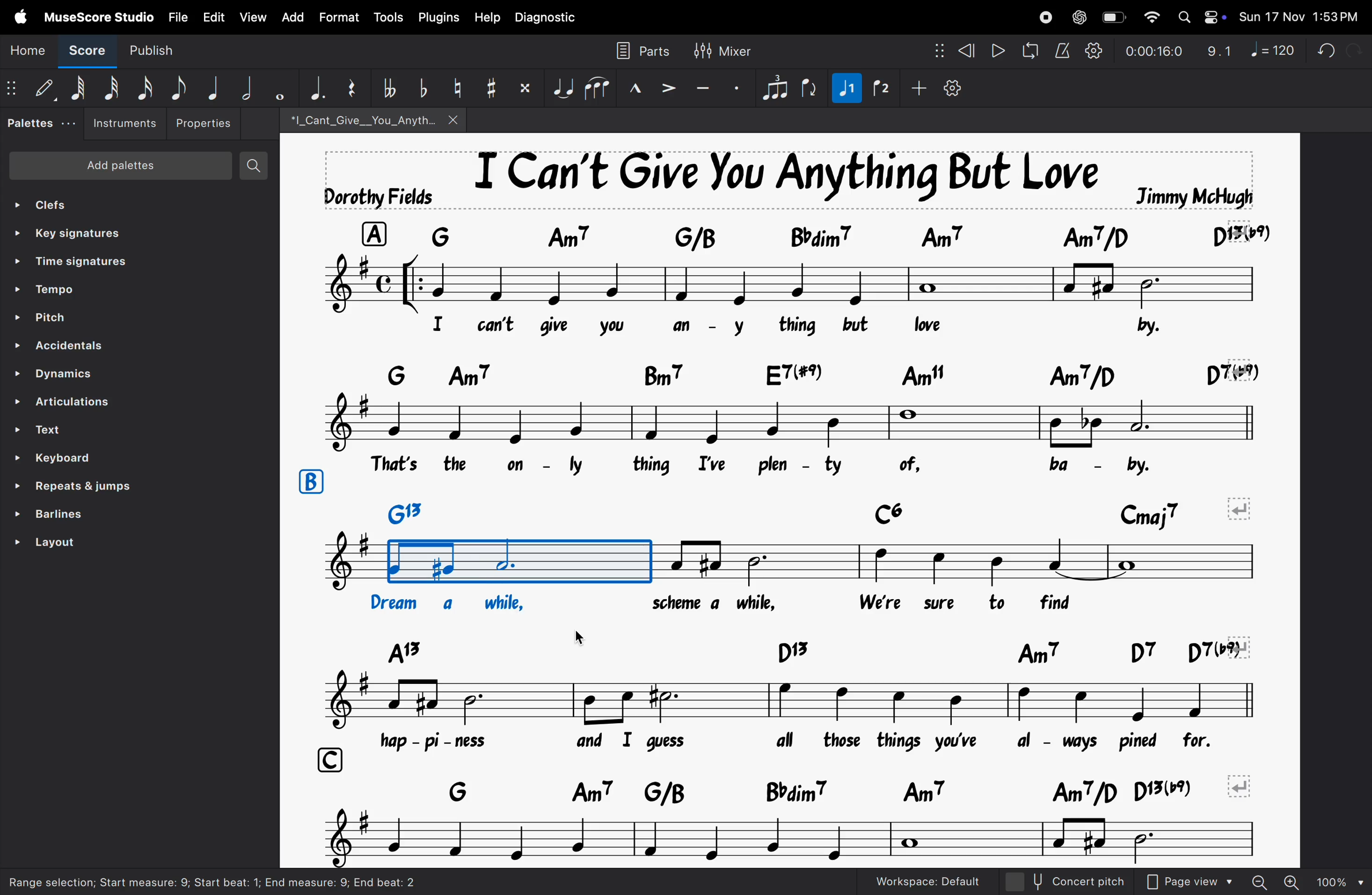 This screenshot has height=895, width=1372. What do you see at coordinates (214, 16) in the screenshot?
I see `Edit` at bounding box center [214, 16].